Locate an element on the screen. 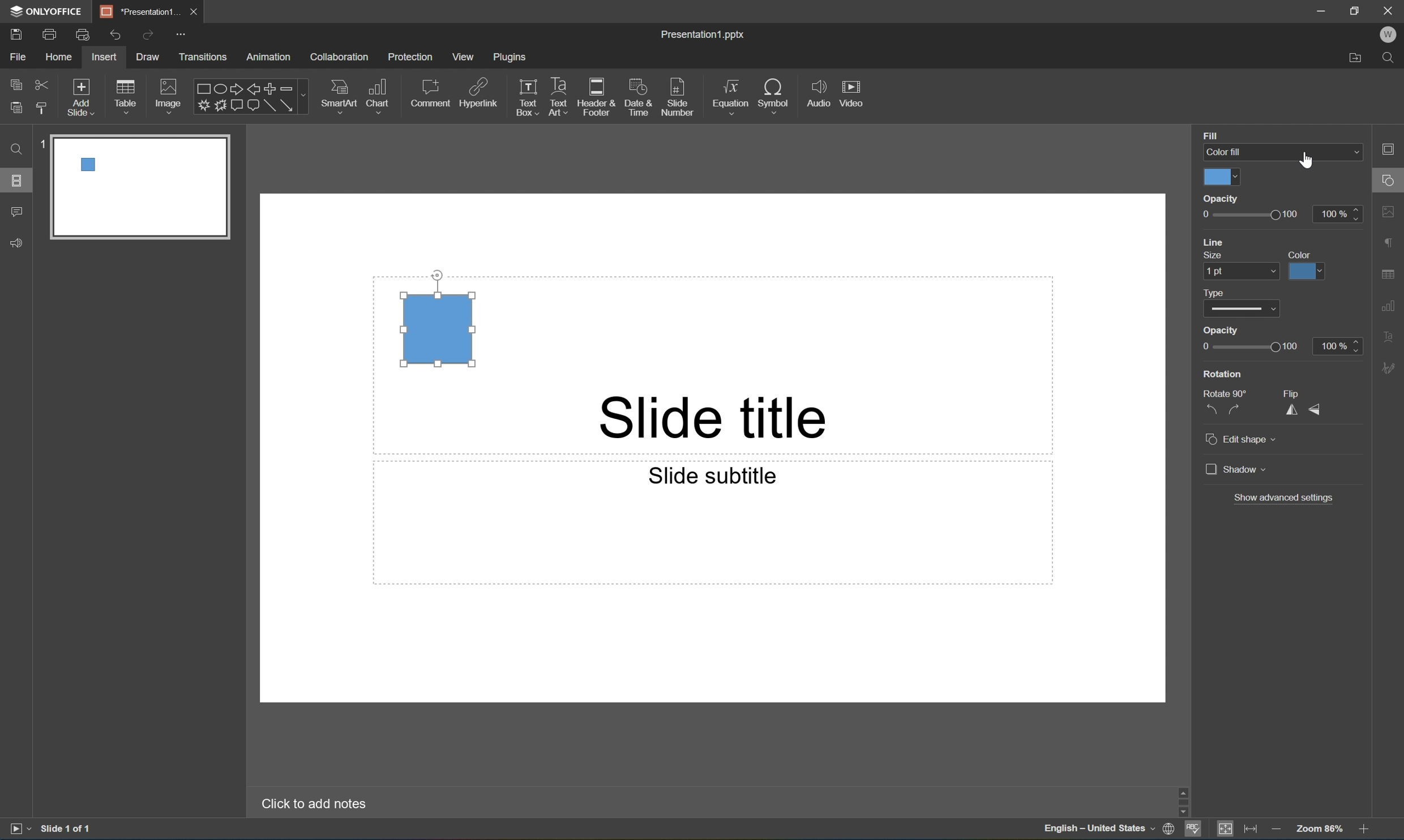  Animation is located at coordinates (268, 58).